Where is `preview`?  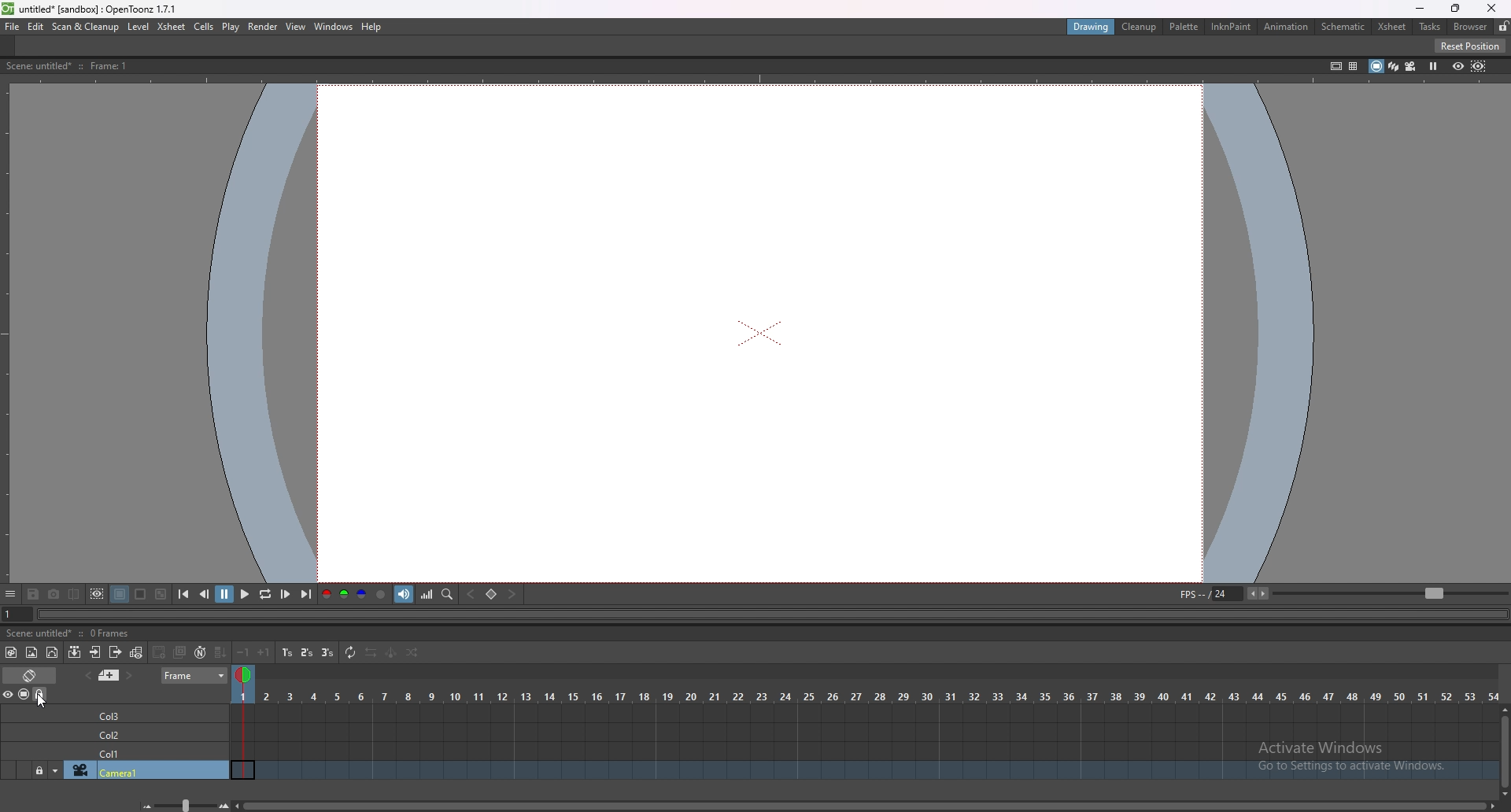 preview is located at coordinates (1457, 65).